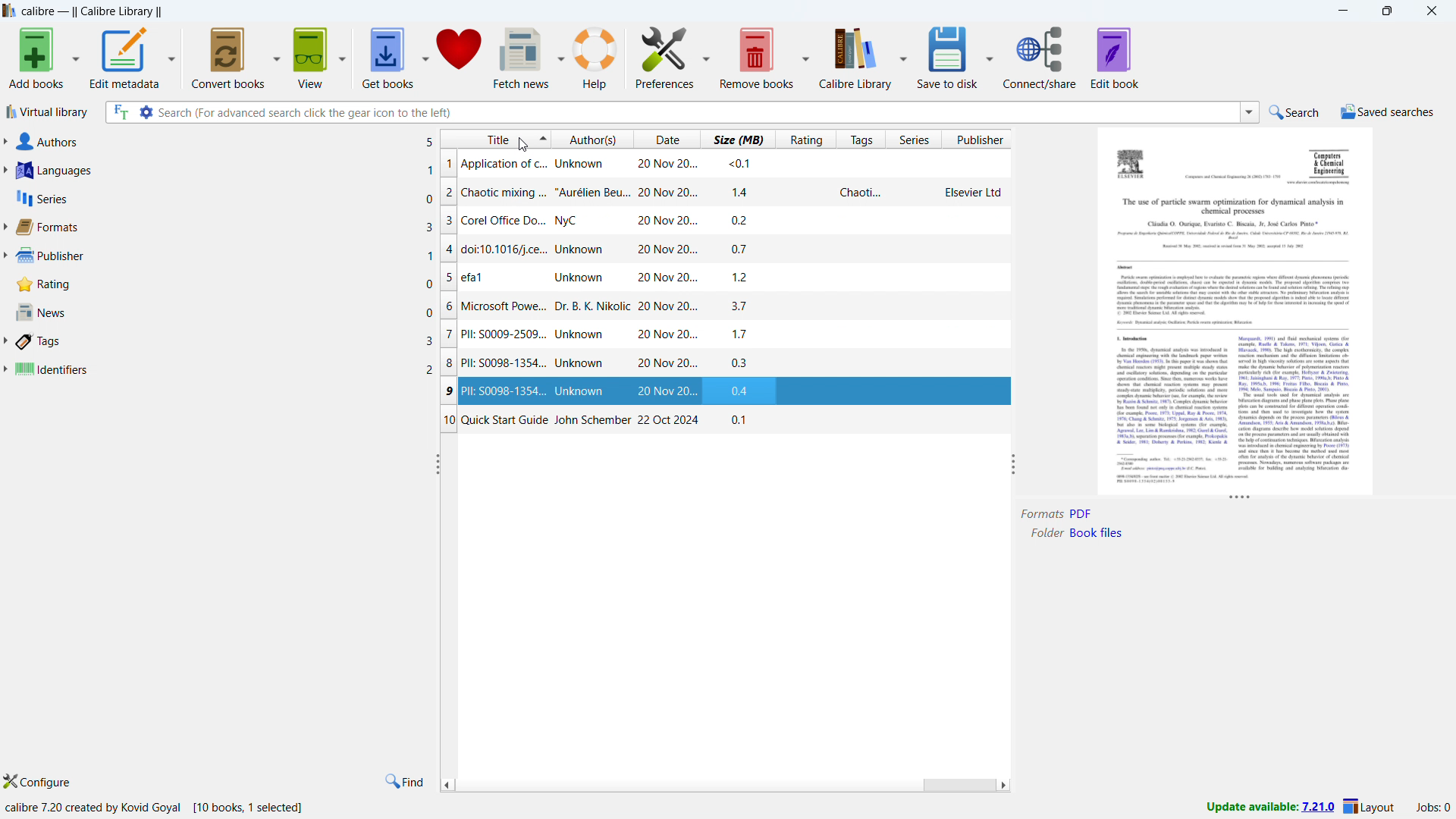 The height and width of the screenshot is (819, 1456). What do you see at coordinates (739, 421) in the screenshot?
I see `0.1` at bounding box center [739, 421].